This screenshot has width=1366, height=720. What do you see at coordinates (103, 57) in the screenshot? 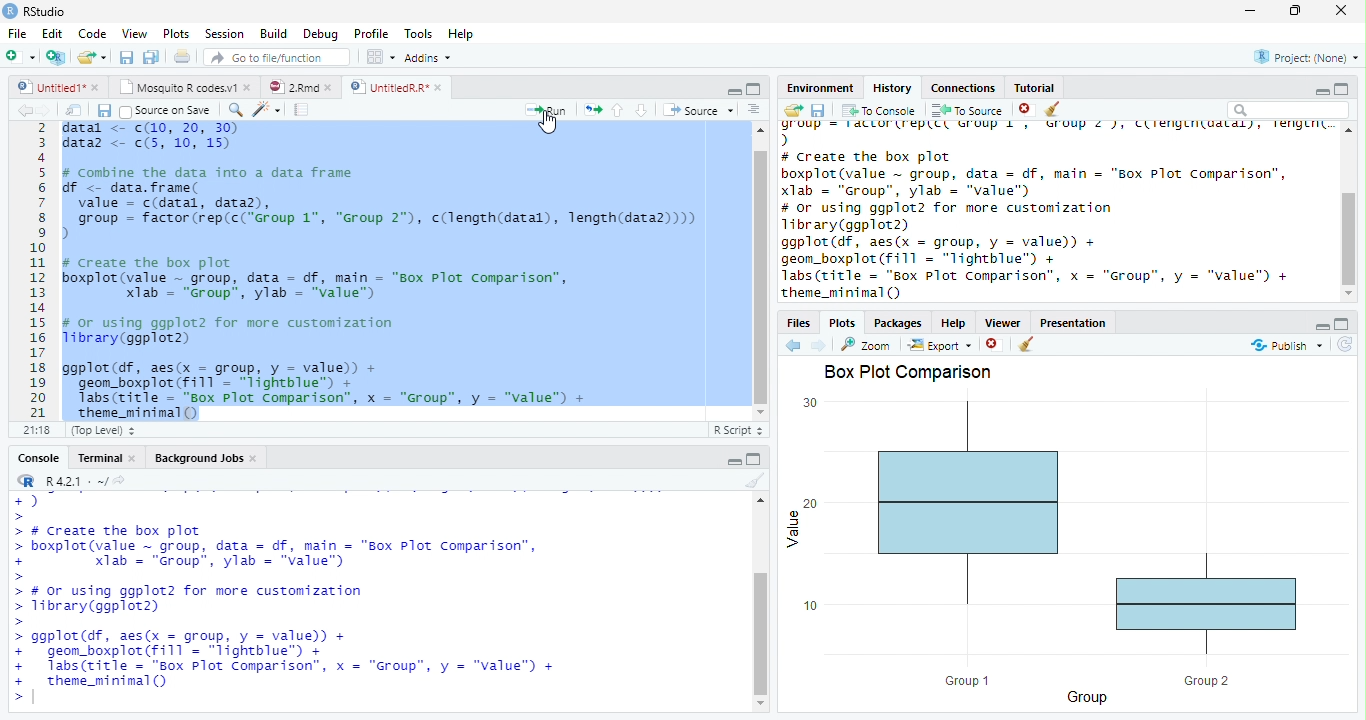
I see `Open recent files` at bounding box center [103, 57].